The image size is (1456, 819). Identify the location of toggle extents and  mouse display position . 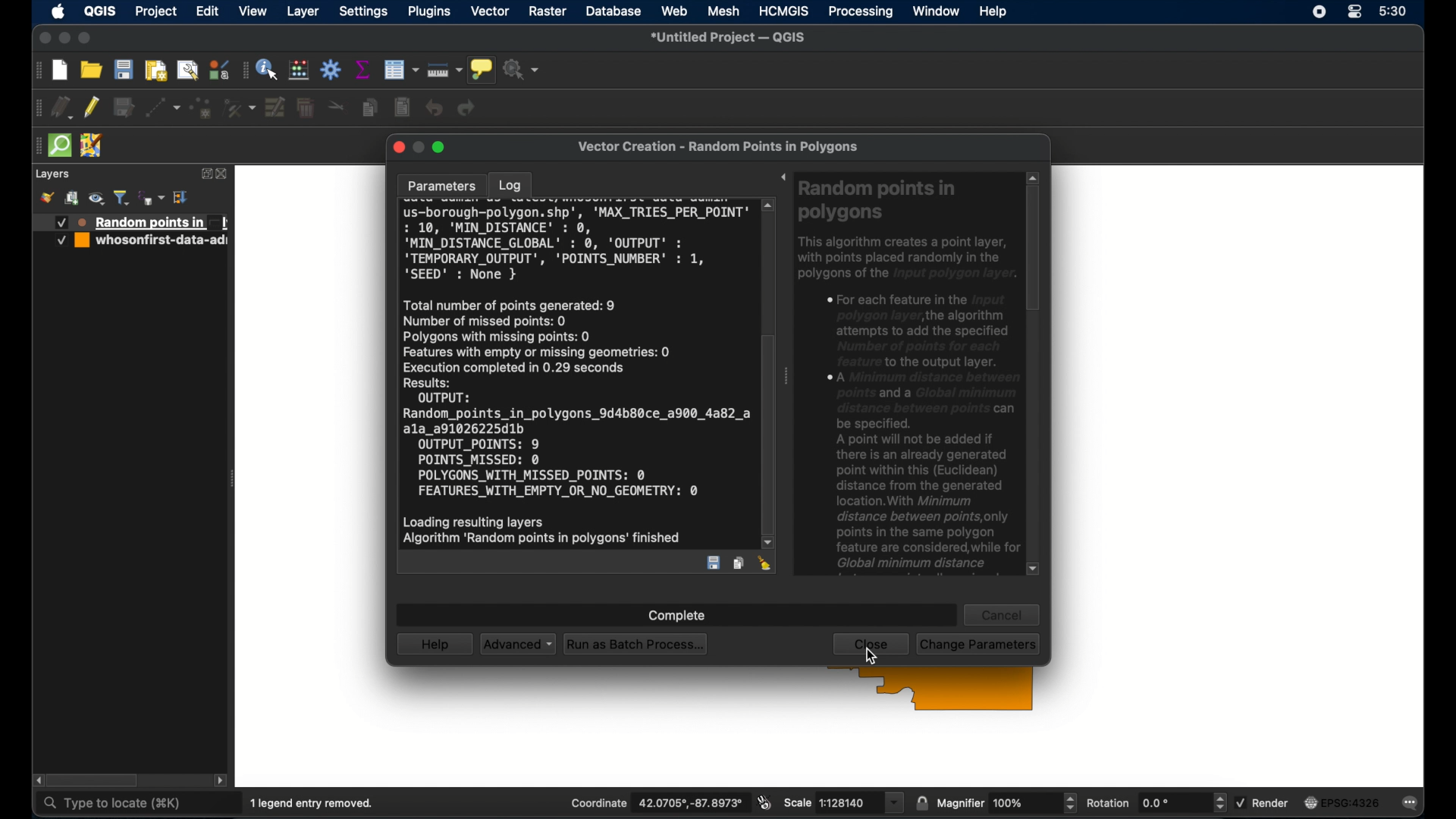
(764, 802).